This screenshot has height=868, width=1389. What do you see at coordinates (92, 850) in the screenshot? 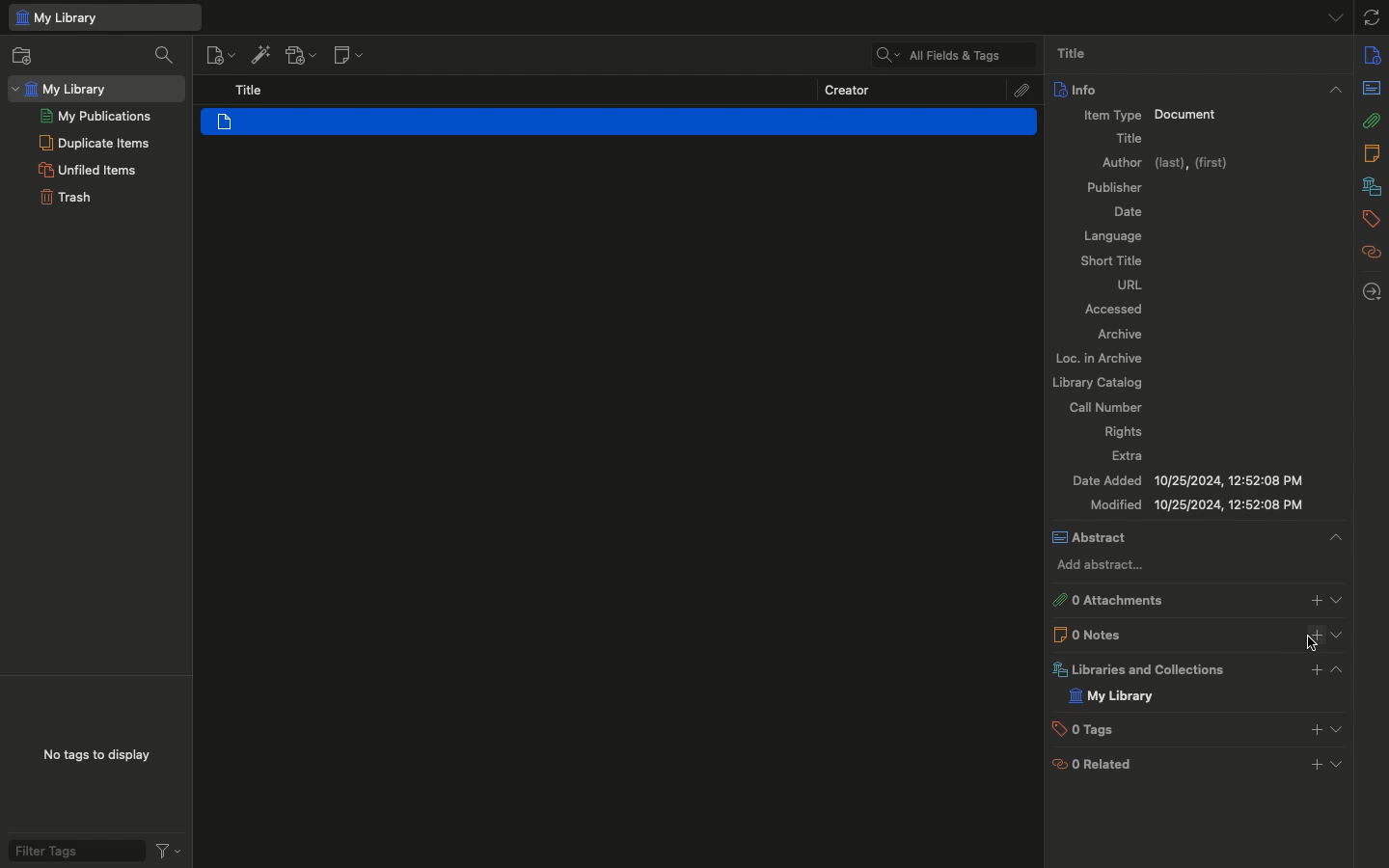
I see `Filter tags` at bounding box center [92, 850].